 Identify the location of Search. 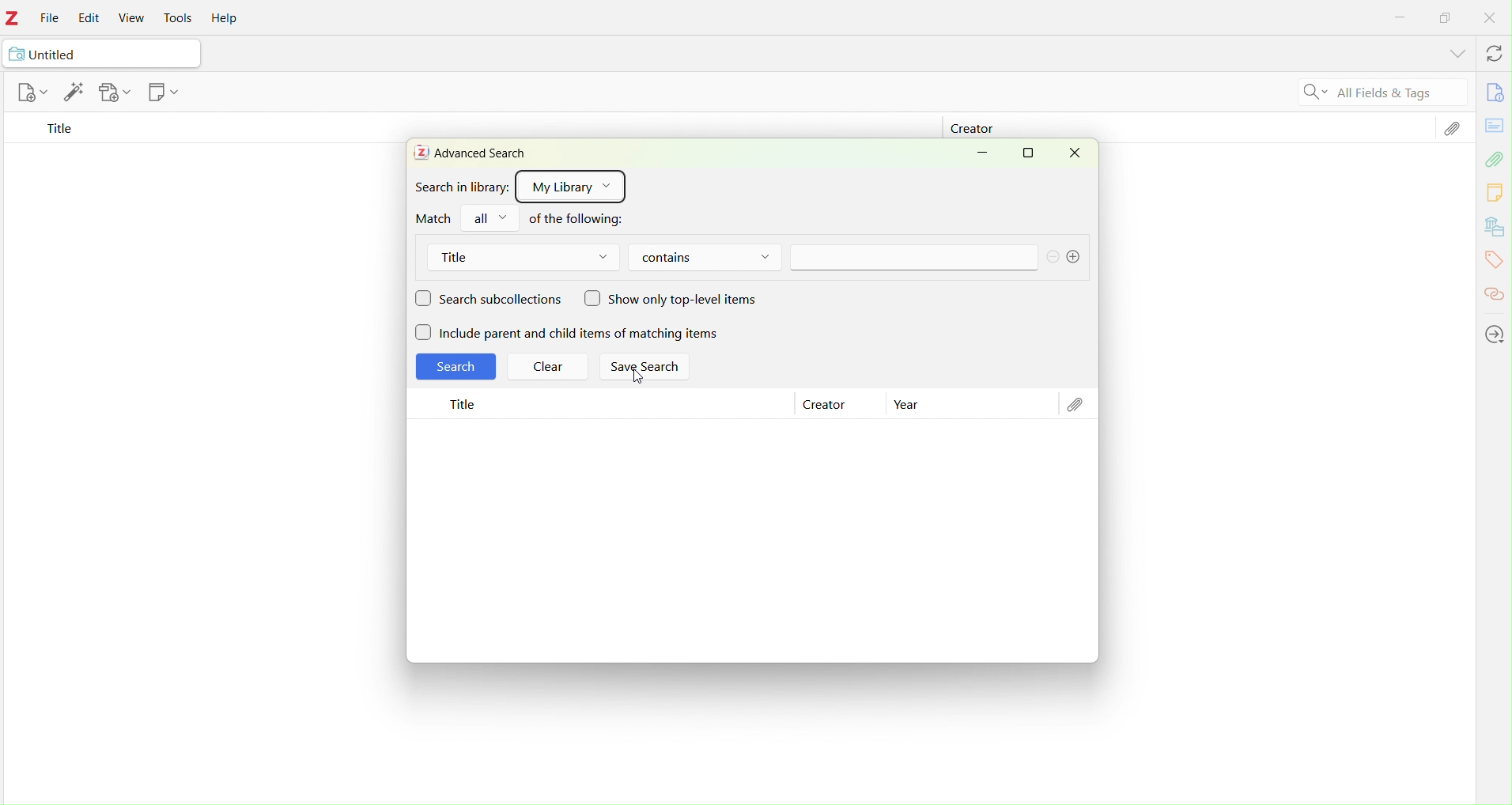
(455, 367).